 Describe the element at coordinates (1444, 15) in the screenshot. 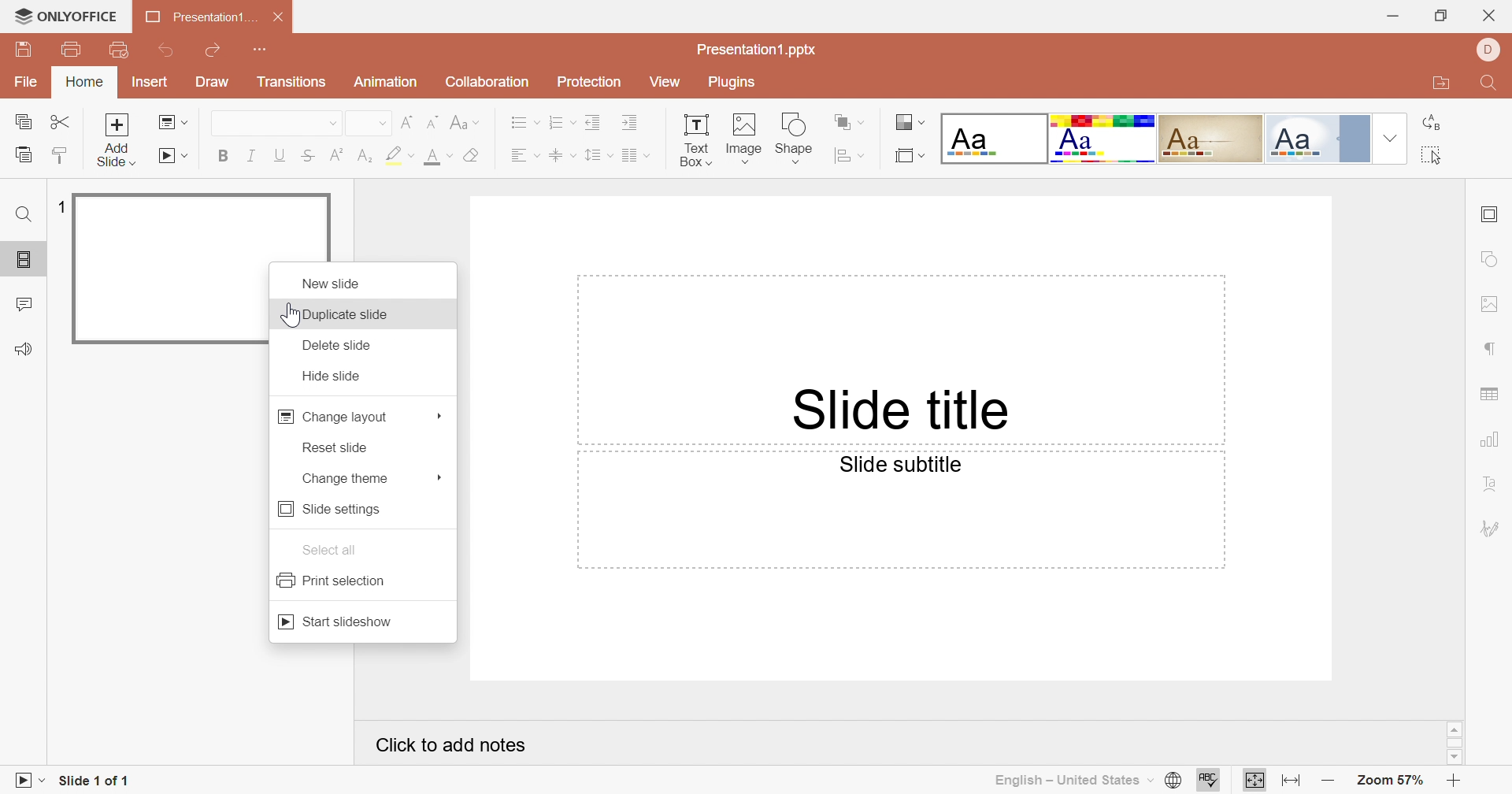

I see `Restore down` at that location.